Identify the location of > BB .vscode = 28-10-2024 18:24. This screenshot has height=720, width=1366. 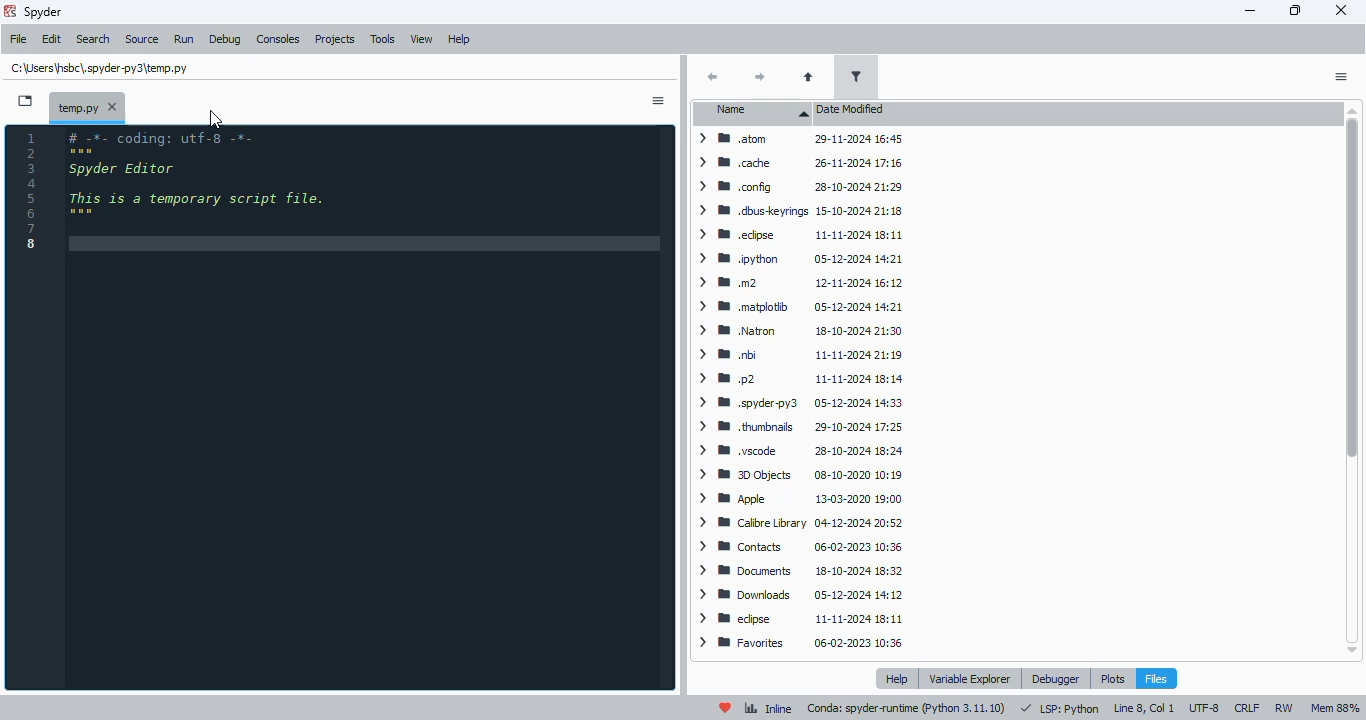
(798, 452).